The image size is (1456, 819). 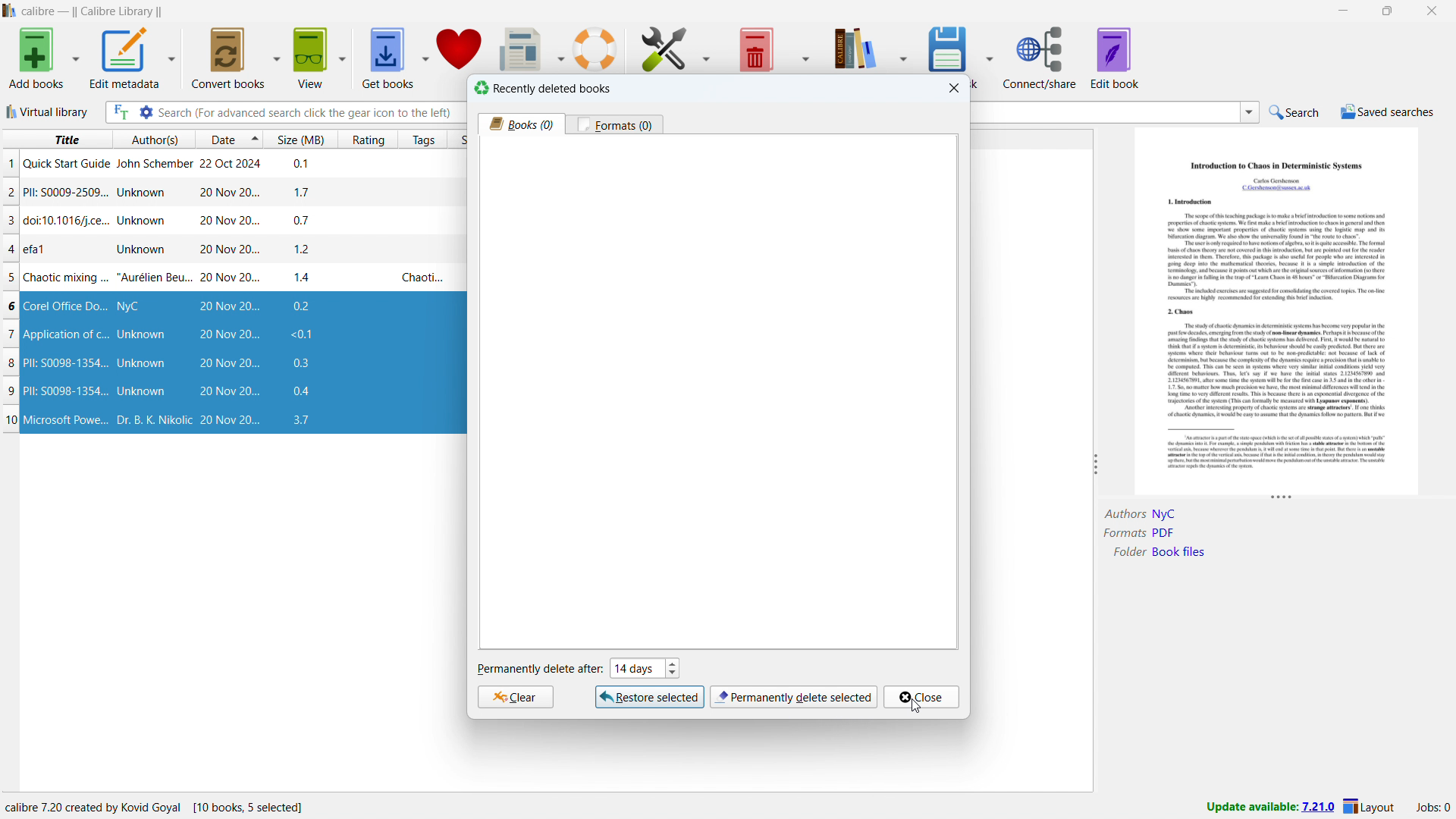 What do you see at coordinates (75, 58) in the screenshot?
I see `add books options` at bounding box center [75, 58].